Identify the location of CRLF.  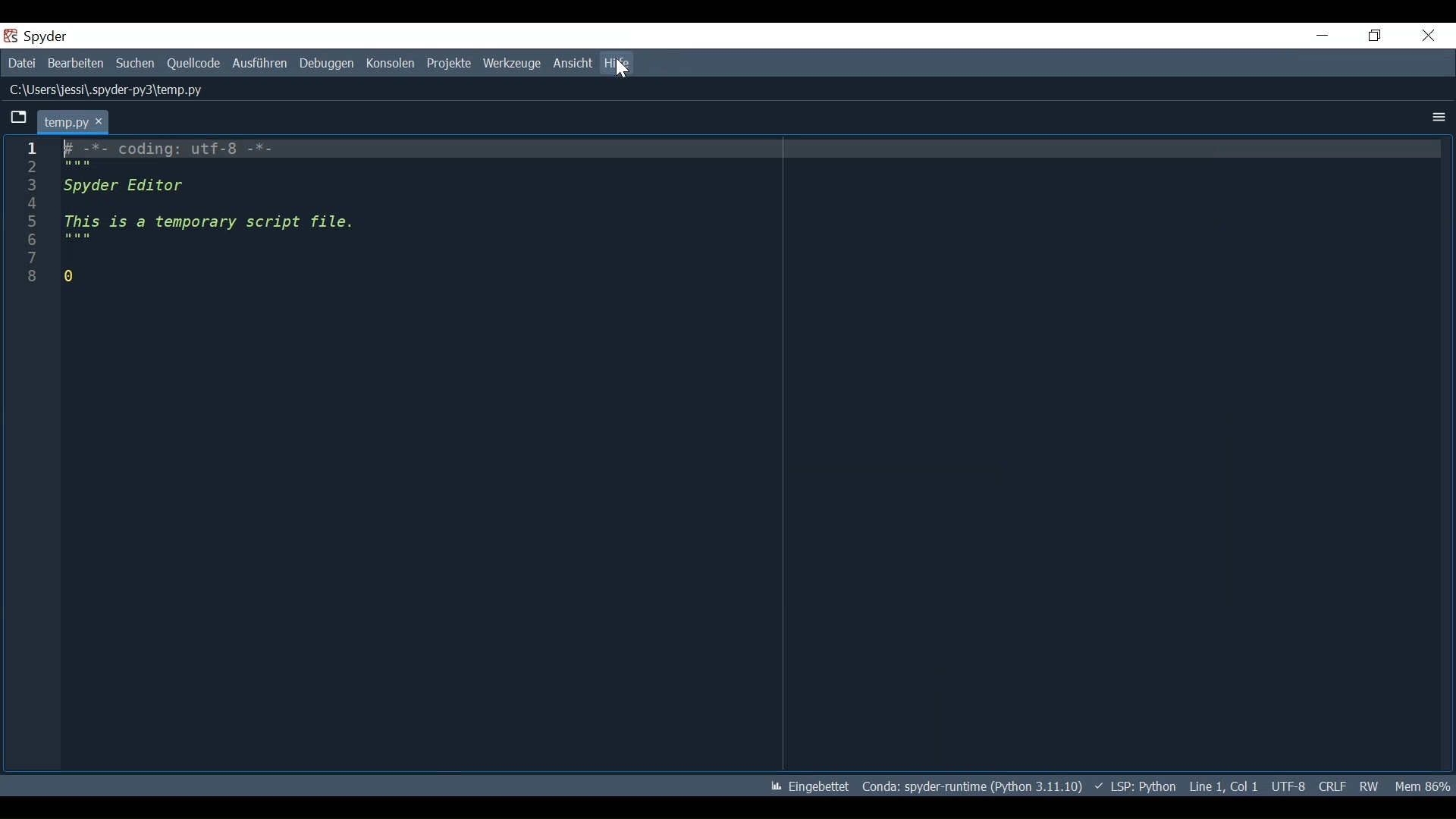
(1332, 786).